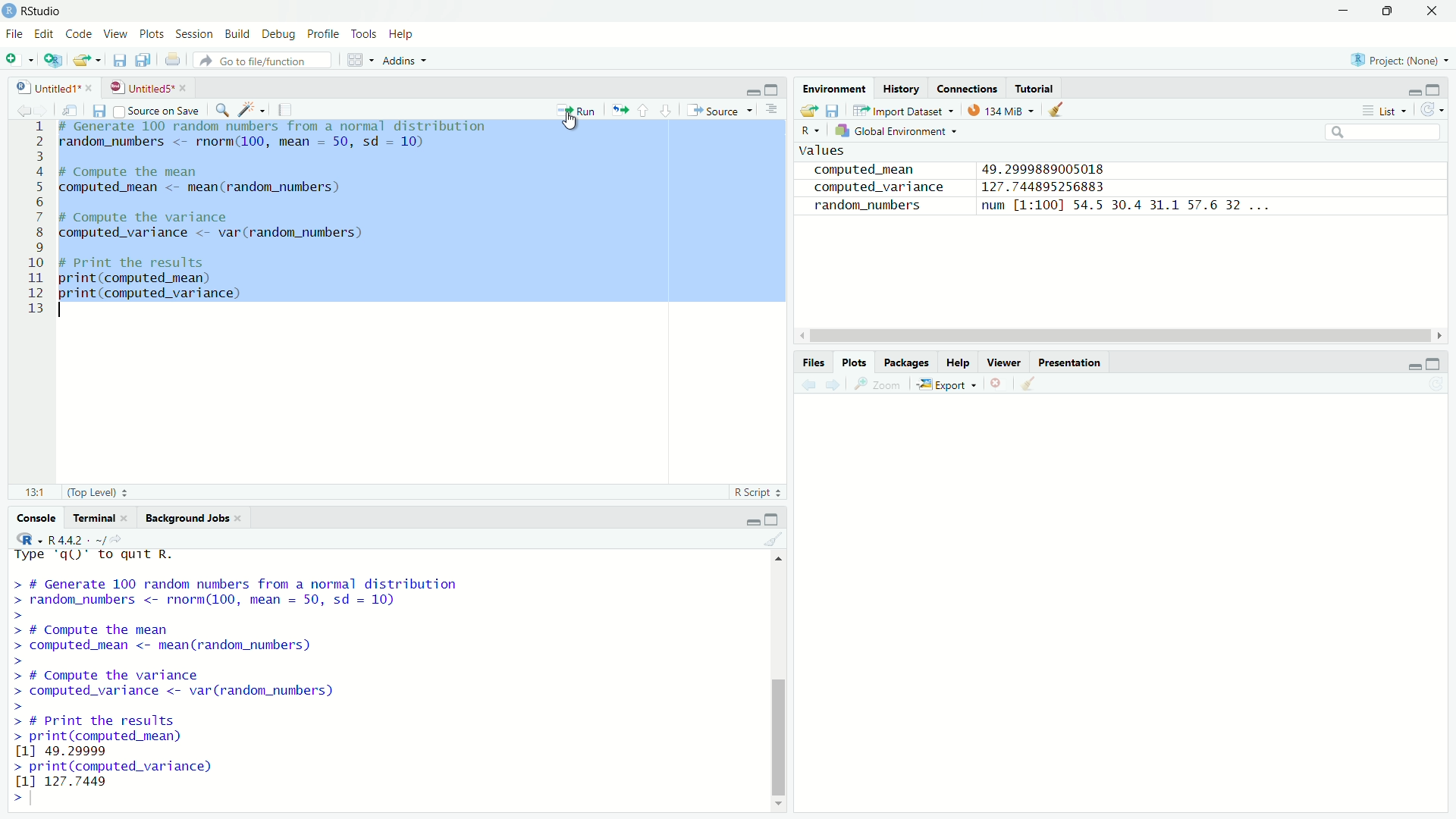 This screenshot has width=1456, height=819. I want to click on profile, so click(325, 32).